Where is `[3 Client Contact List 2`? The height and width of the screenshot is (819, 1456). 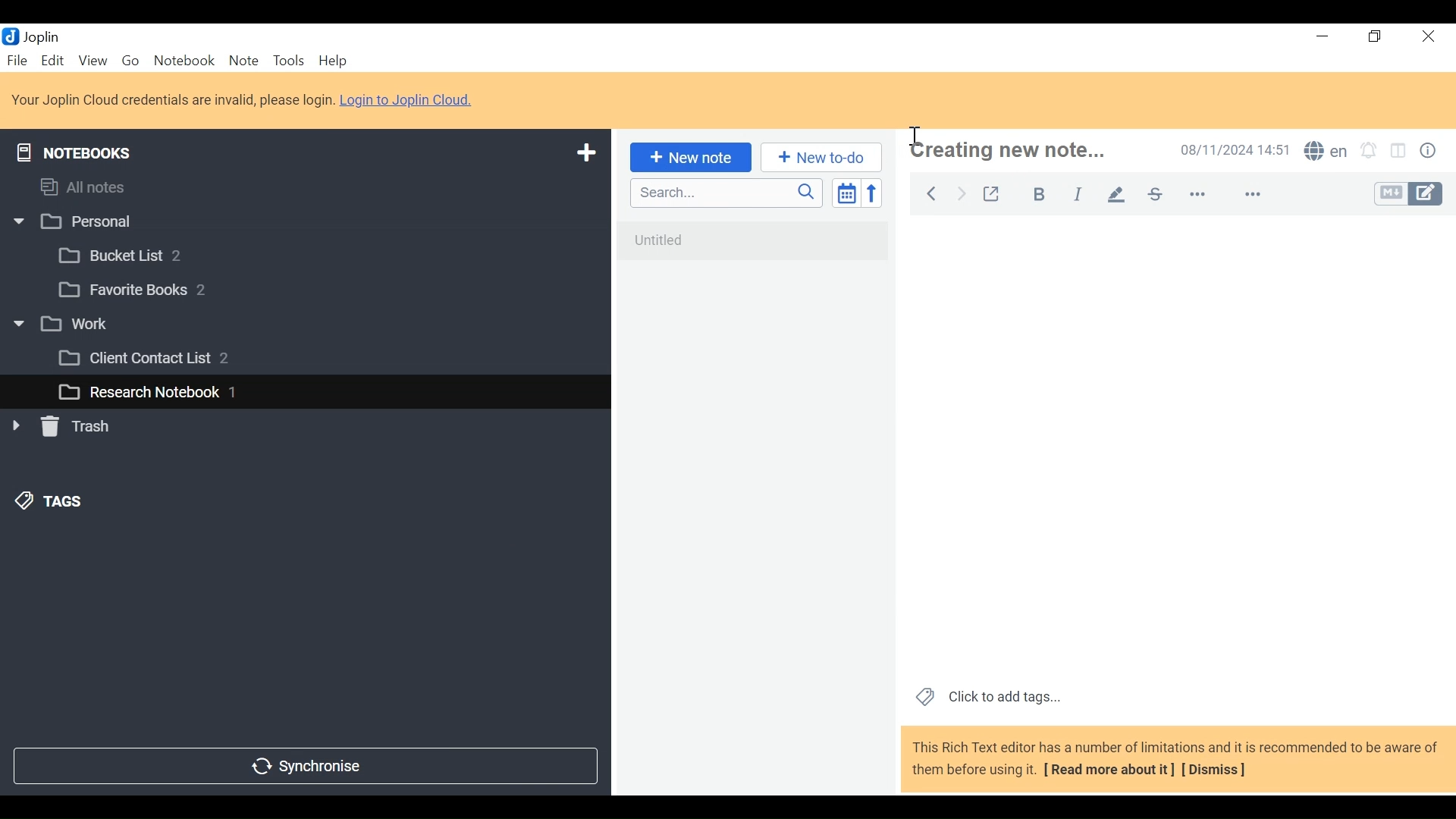 [3 Client Contact List 2 is located at coordinates (166, 362).